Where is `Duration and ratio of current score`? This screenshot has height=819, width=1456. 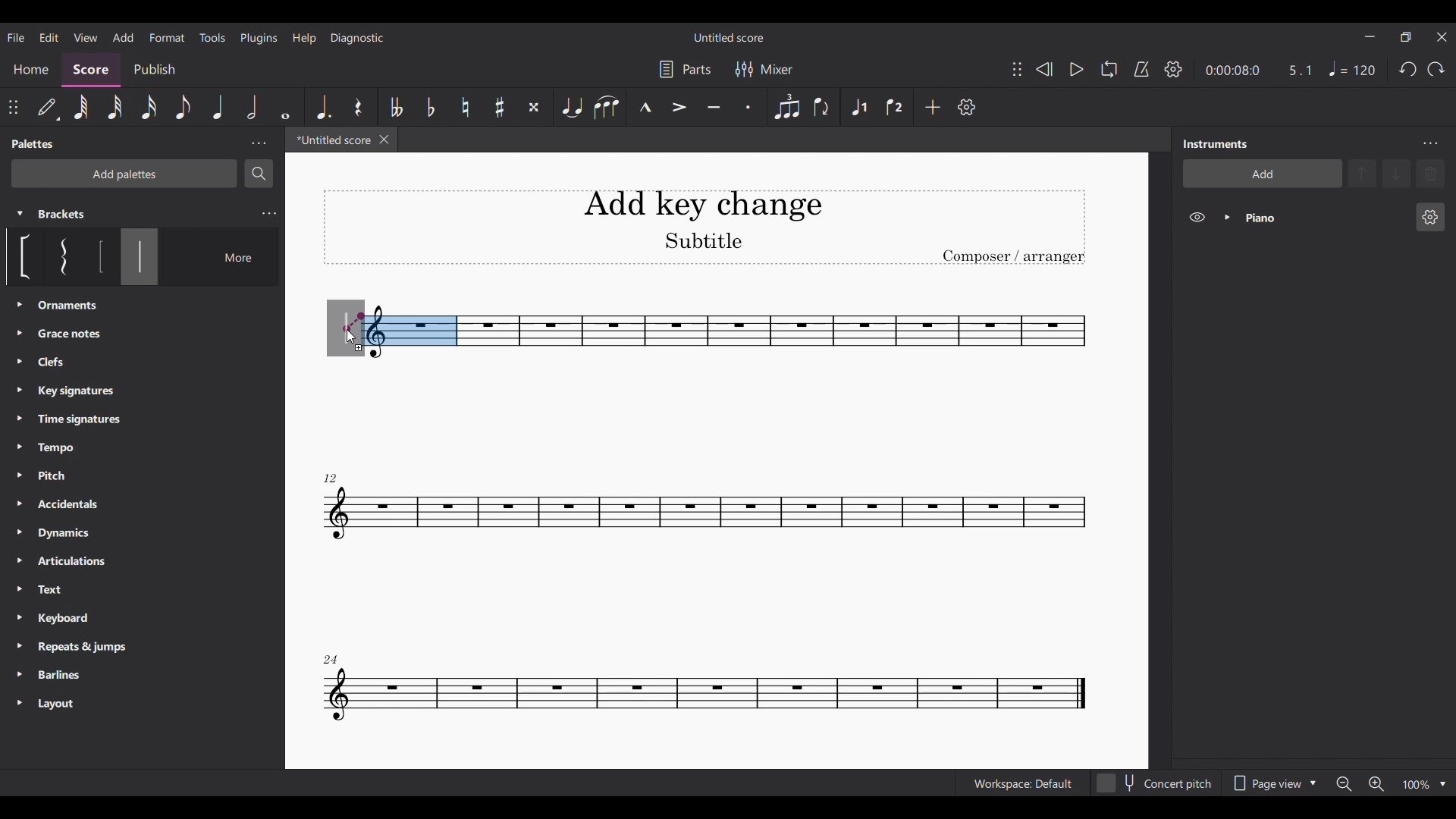
Duration and ratio of current score is located at coordinates (1258, 70).